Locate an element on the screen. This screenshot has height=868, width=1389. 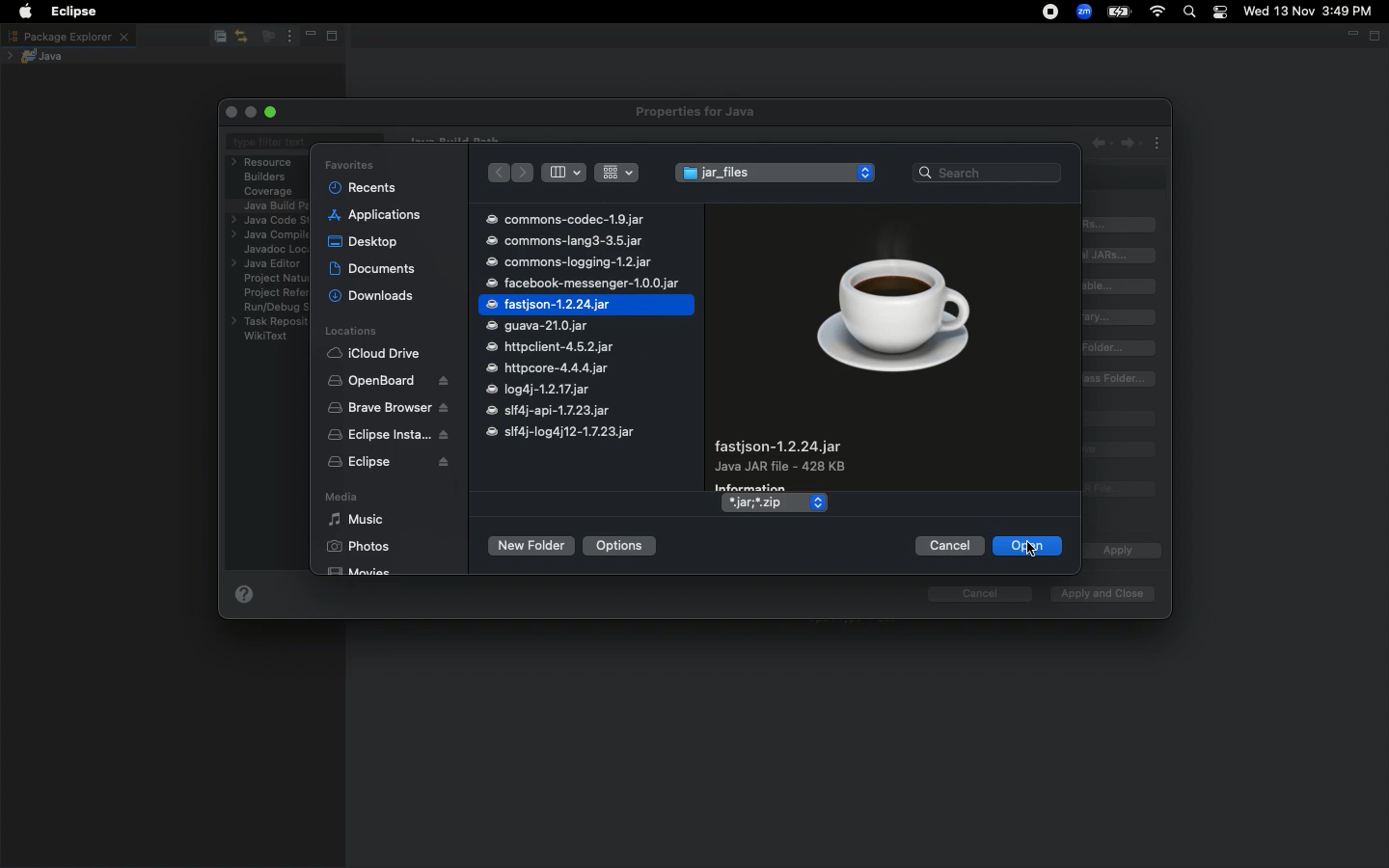
Cancel is located at coordinates (948, 546).